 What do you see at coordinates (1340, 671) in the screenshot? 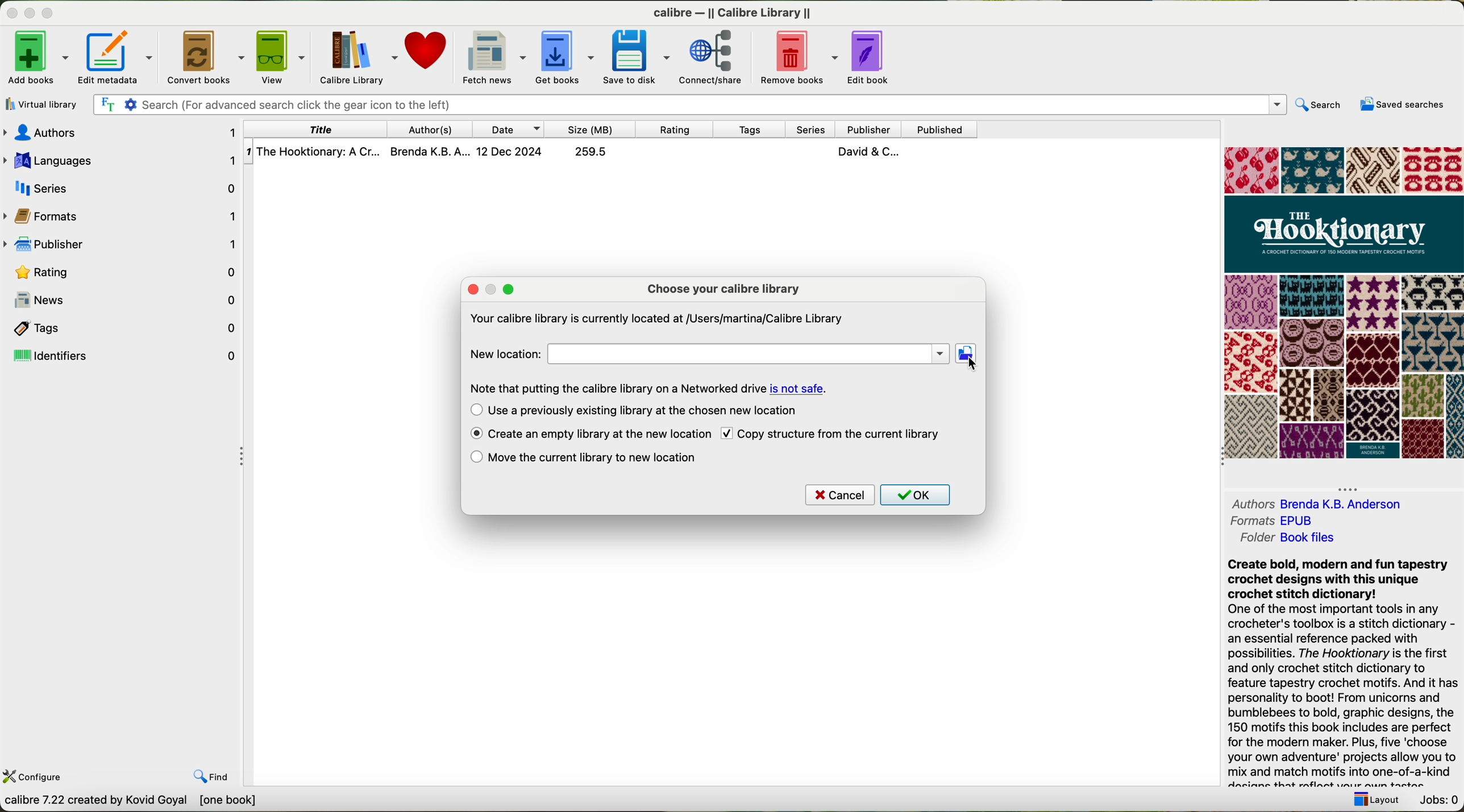
I see `Create bold, modern and fun tapestrycrochet designs with this uniquecrochet stitch dictionary!One of the most important tools in anycrocheter's toolbox is a stitch dictionary -an essential reference packed withpossibilities. The Hooktionary is the firstand only crochet stitch dictionary tofeature tapestry crochet motifs. And it haspersonality to boot! From unicorns andbumblebees to bold, graphic designs, the150 motifs this book includes are perfectfor the modern maker. Plus, five ‘chooseyour own adventure' projects allow you tomix and match motifs into one-of-a-kind` at bounding box center [1340, 671].